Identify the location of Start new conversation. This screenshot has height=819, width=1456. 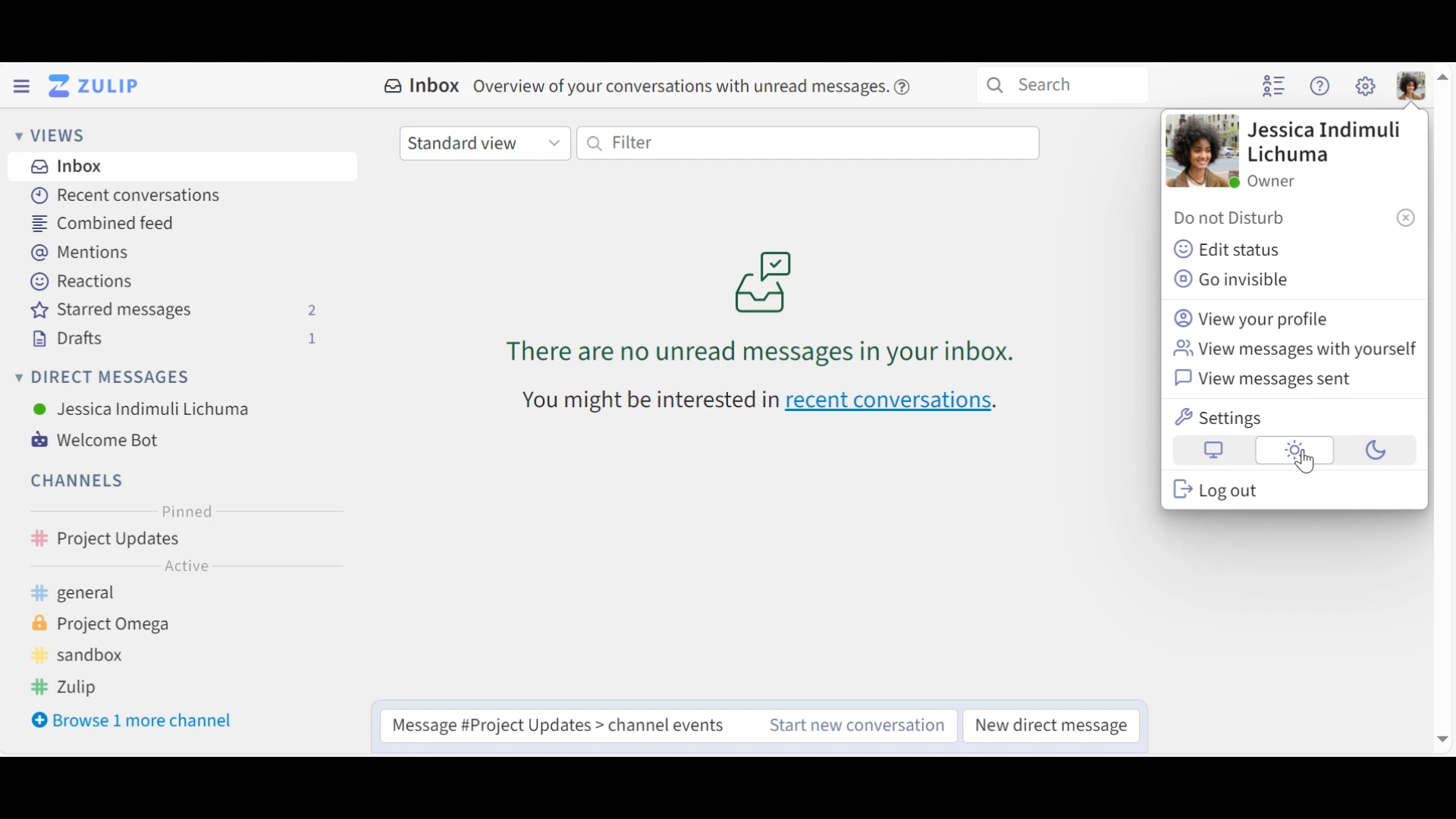
(843, 726).